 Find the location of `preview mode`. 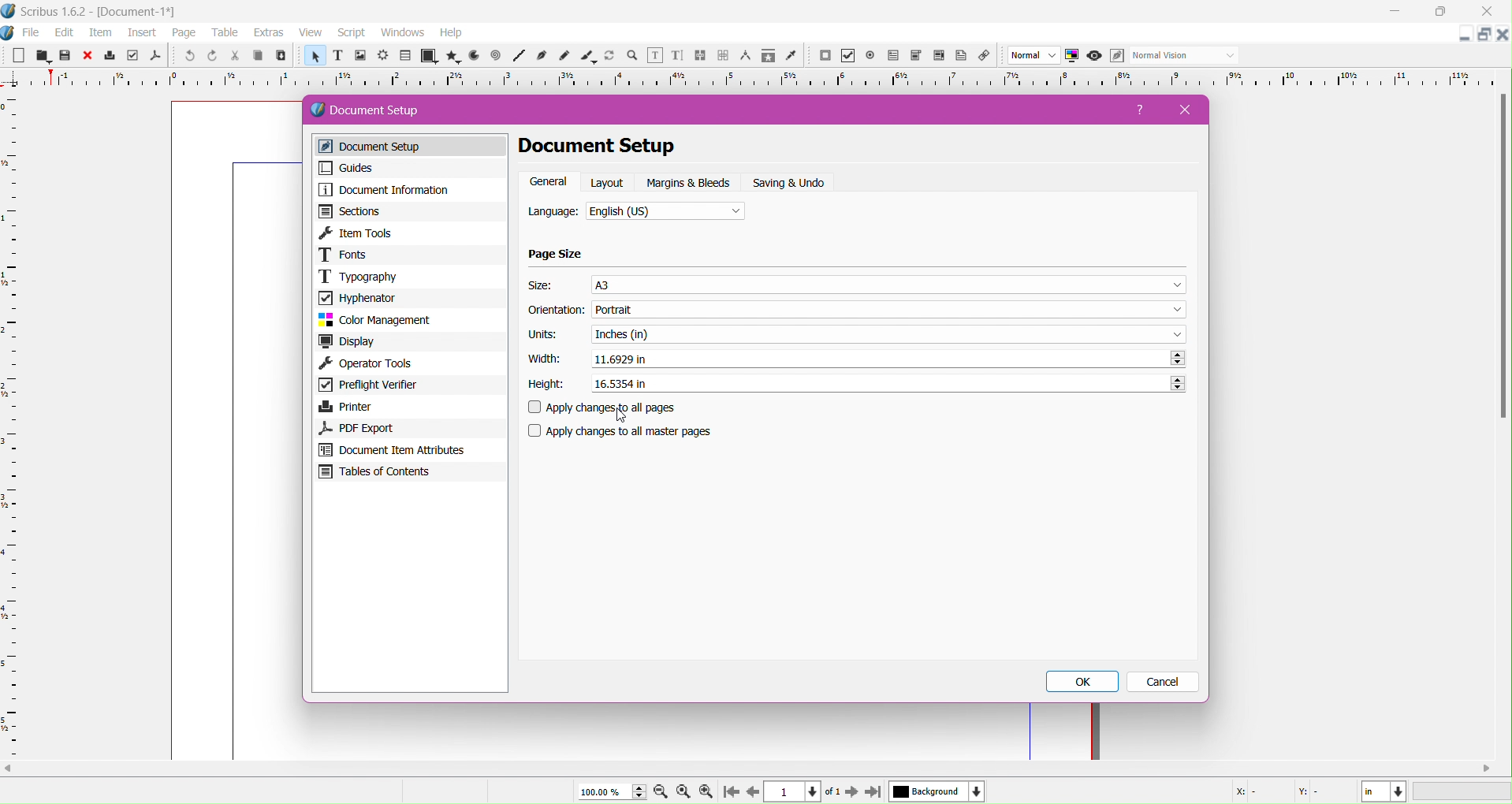

preview mode is located at coordinates (1093, 56).